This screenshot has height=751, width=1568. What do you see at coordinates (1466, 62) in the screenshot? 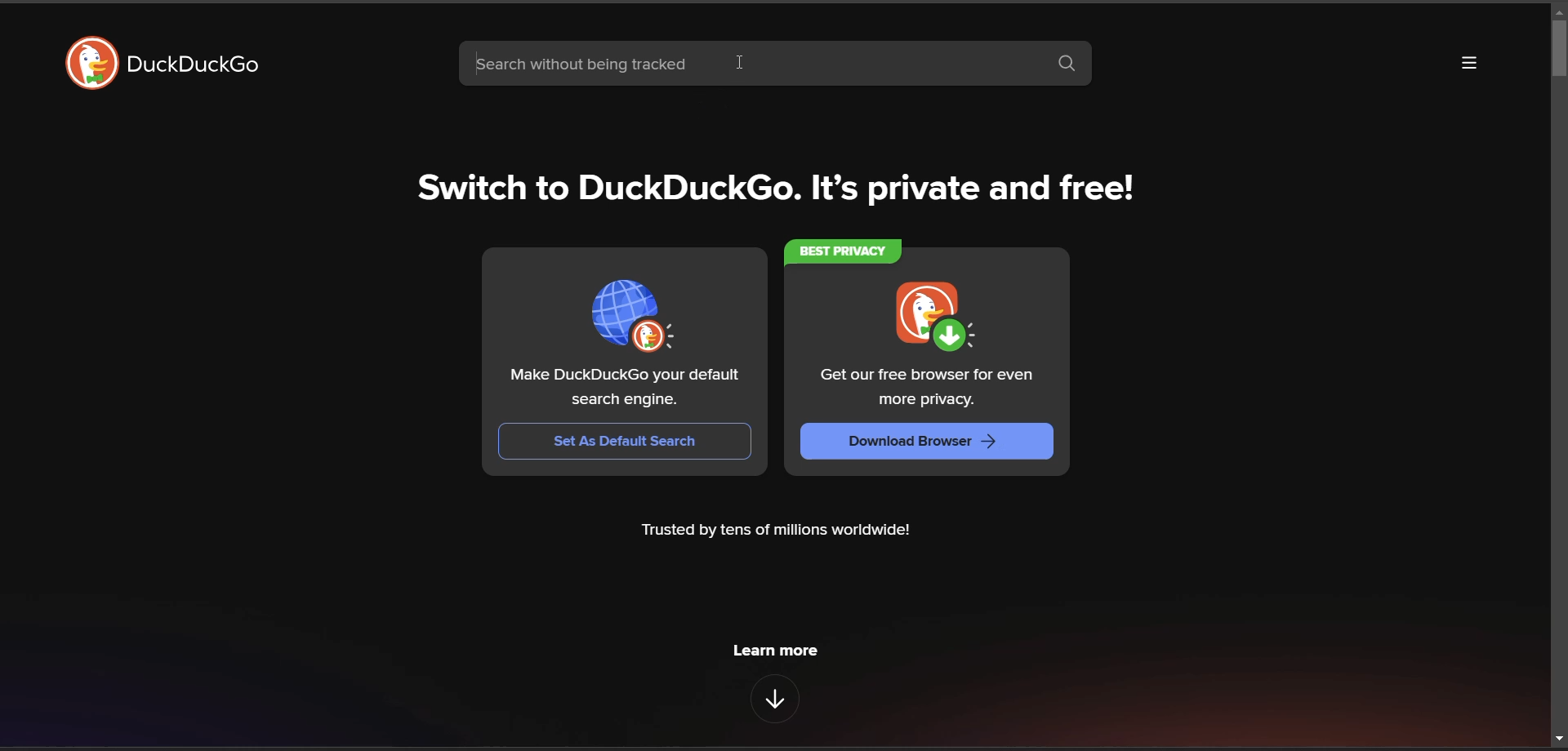
I see `more options` at bounding box center [1466, 62].